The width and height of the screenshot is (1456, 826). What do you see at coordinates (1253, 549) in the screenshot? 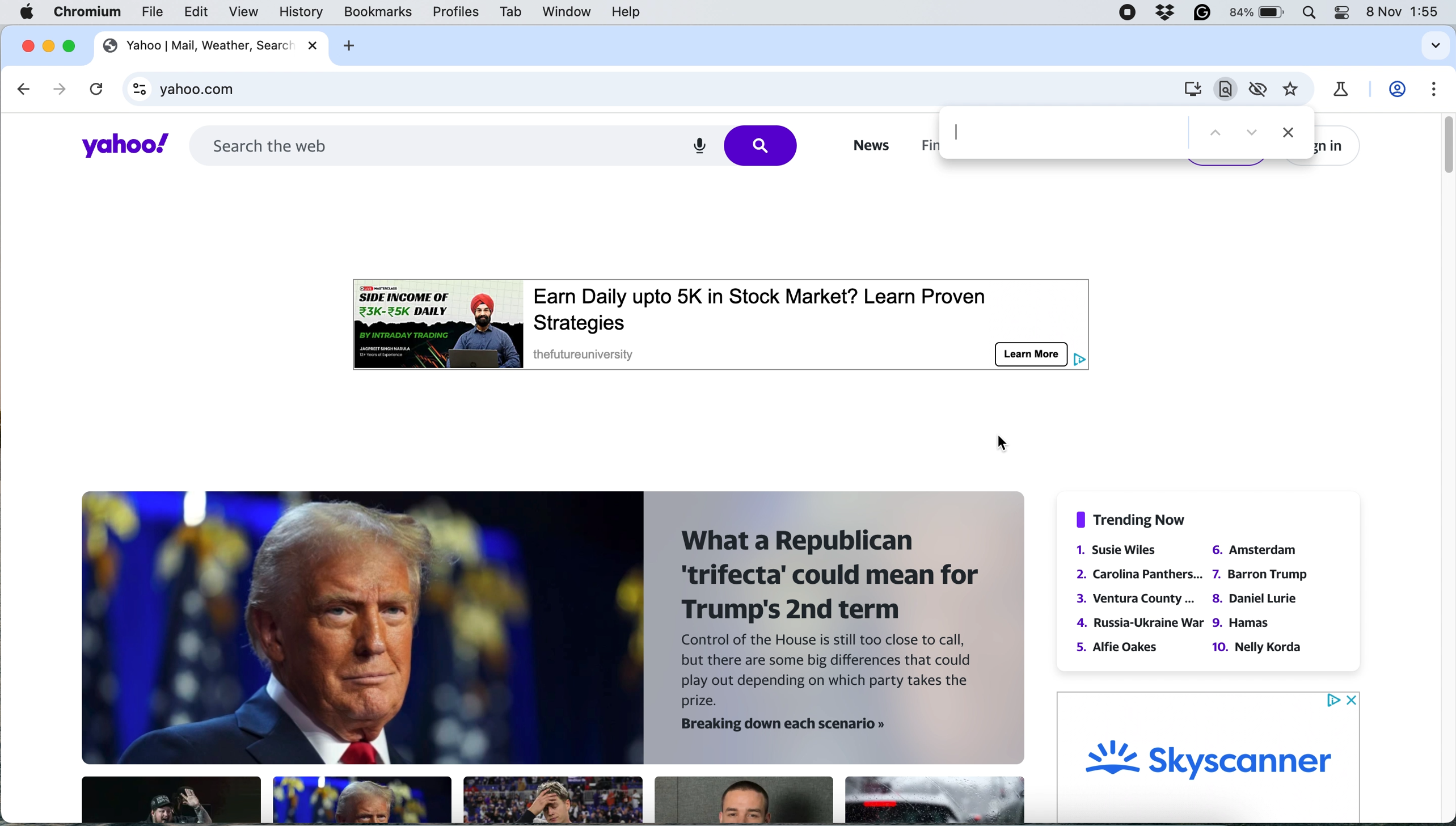
I see `Amsterdam` at bounding box center [1253, 549].